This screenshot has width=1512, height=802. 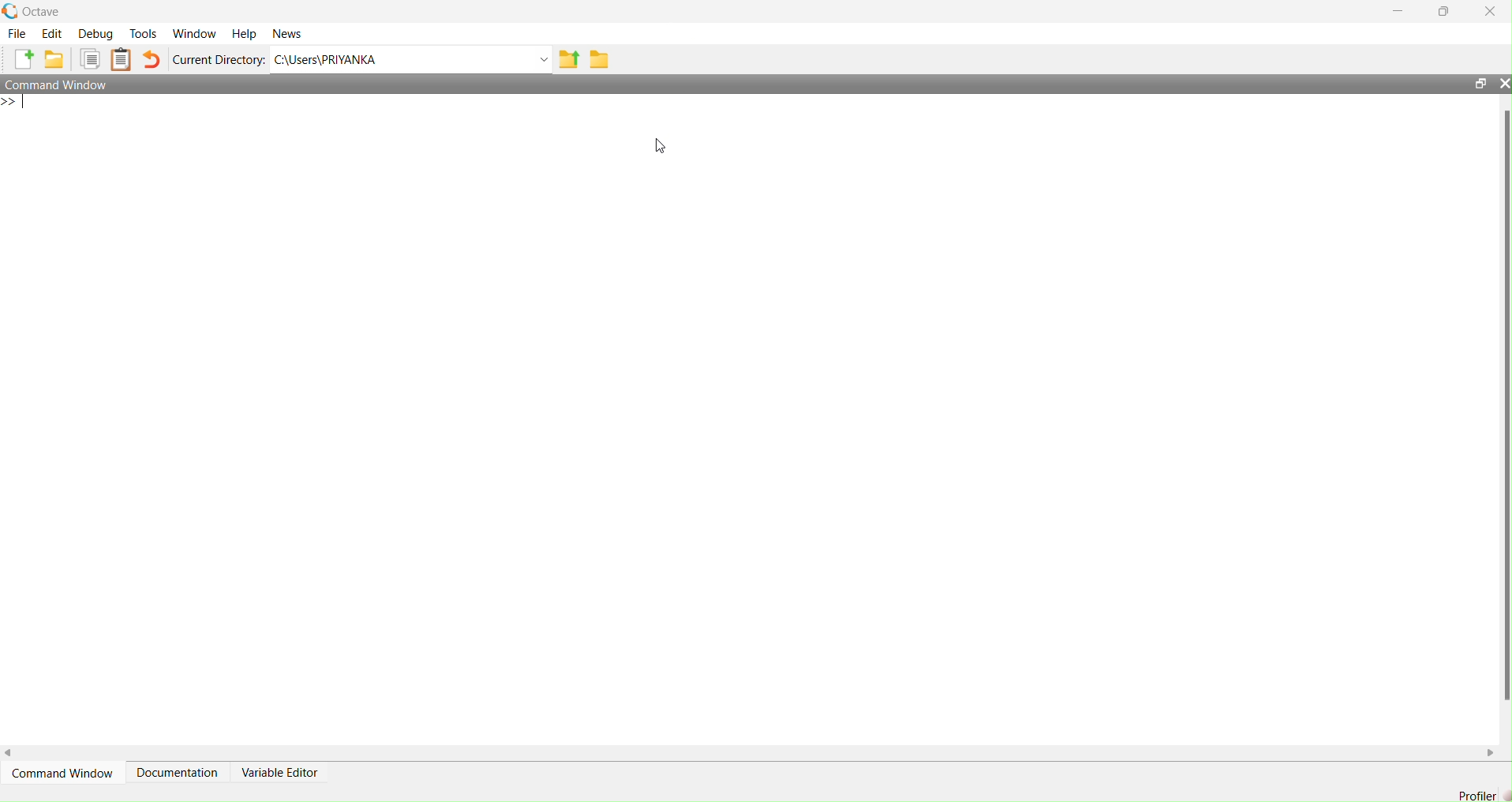 What do you see at coordinates (287, 767) in the screenshot?
I see `Variable Editor` at bounding box center [287, 767].